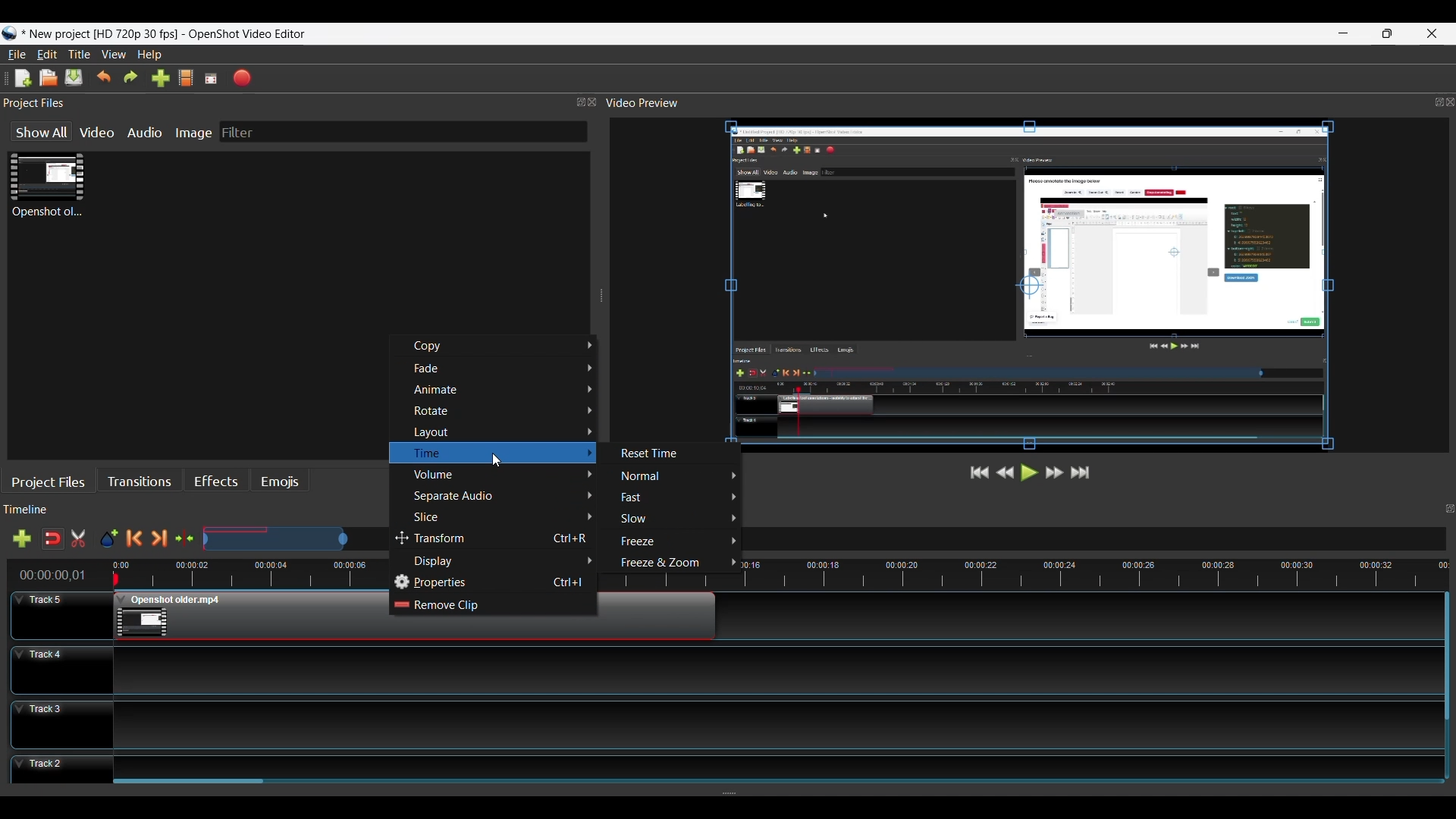  Describe the element at coordinates (49, 78) in the screenshot. I see `Open File` at that location.